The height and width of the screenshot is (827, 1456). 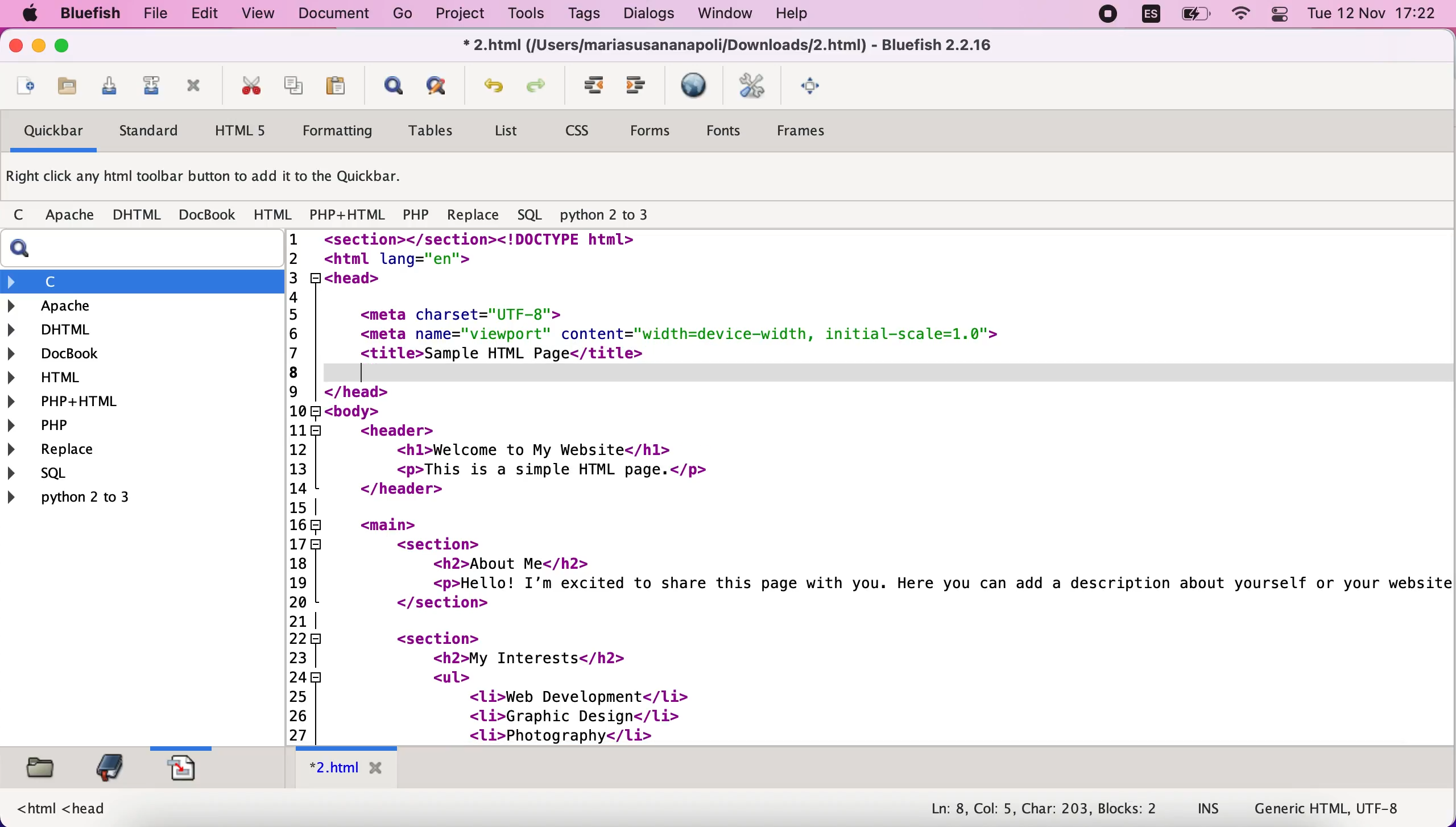 What do you see at coordinates (344, 130) in the screenshot?
I see `formatting` at bounding box center [344, 130].